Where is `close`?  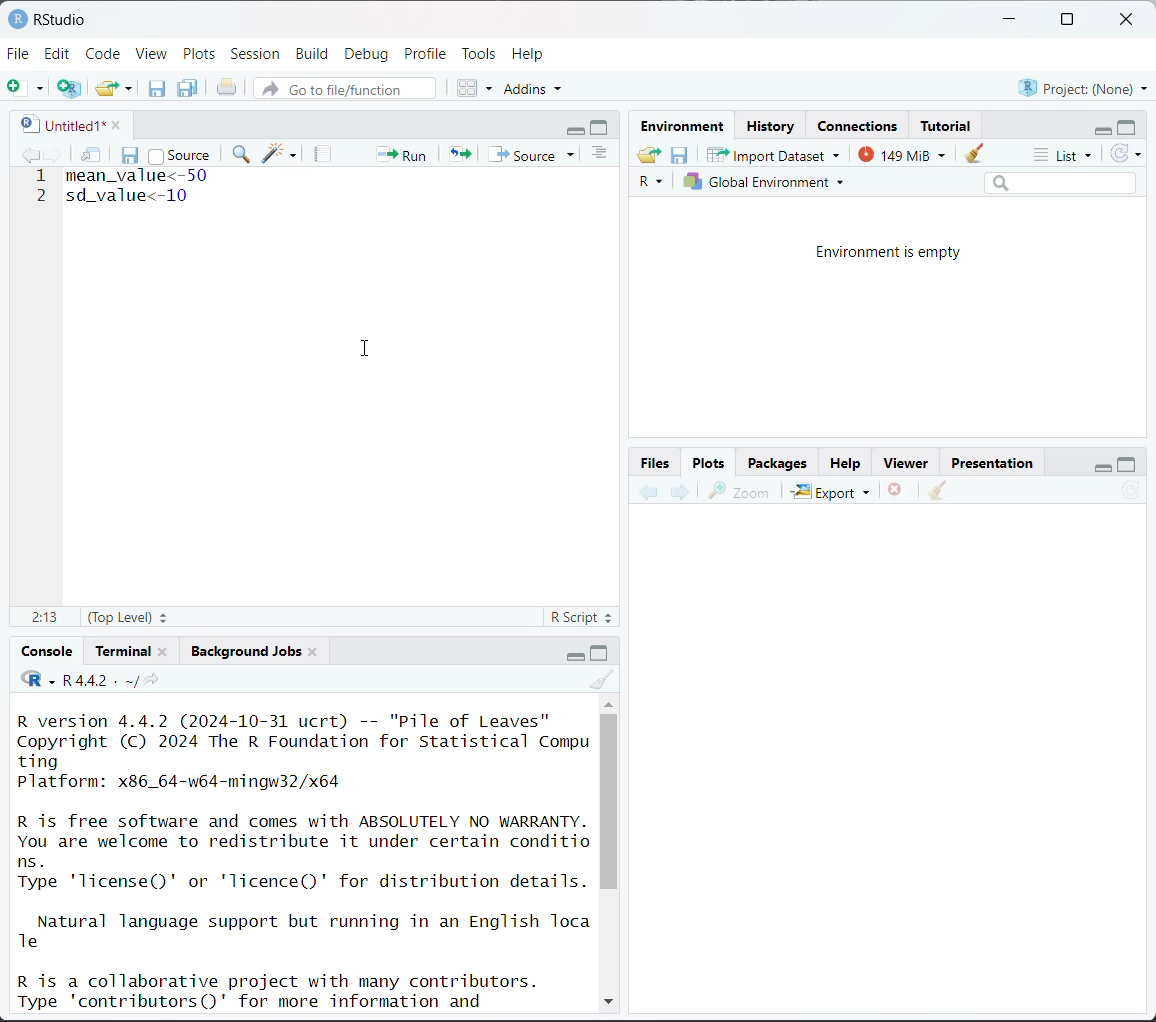 close is located at coordinates (1130, 20).